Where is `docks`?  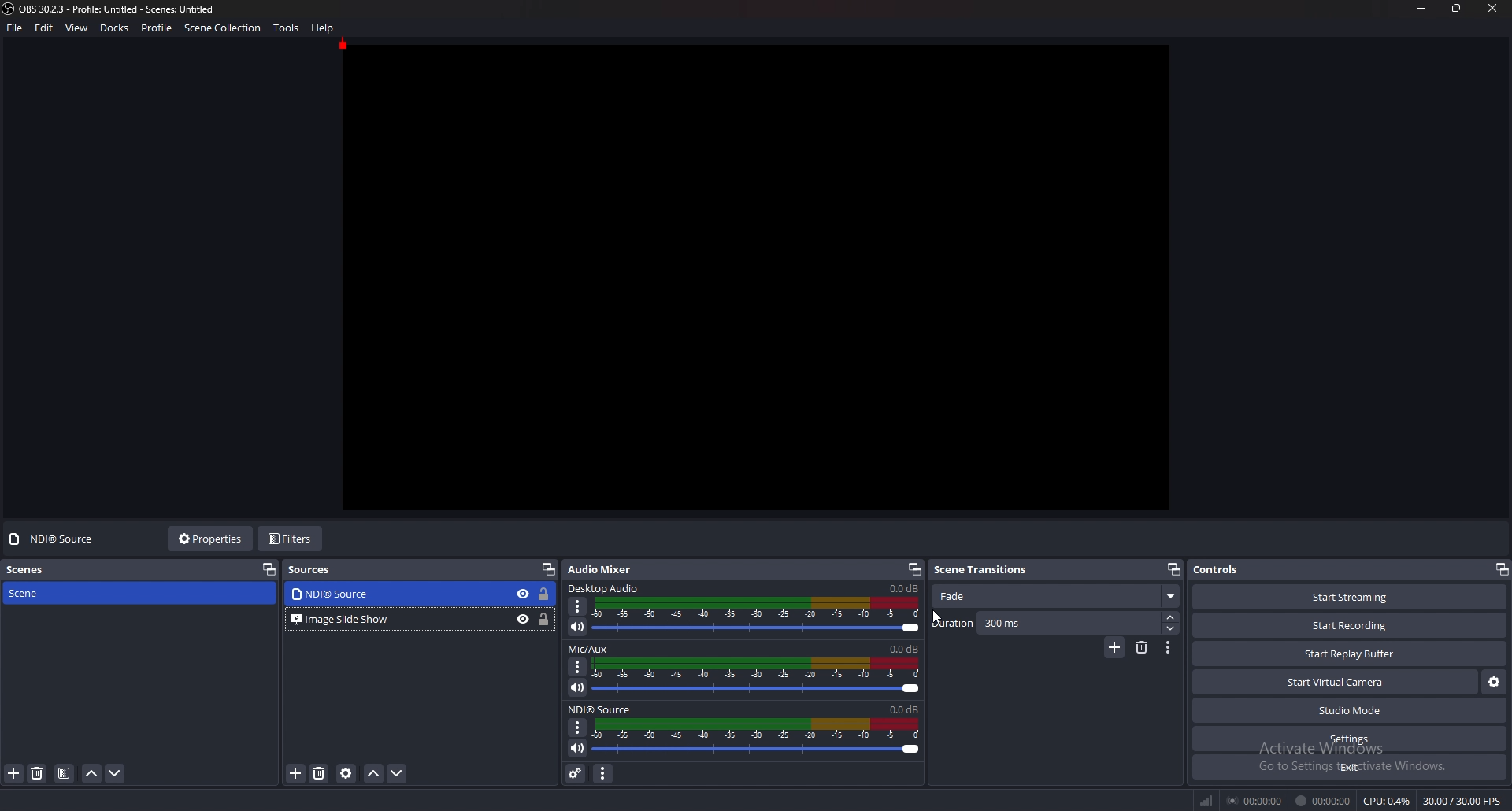
docks is located at coordinates (117, 28).